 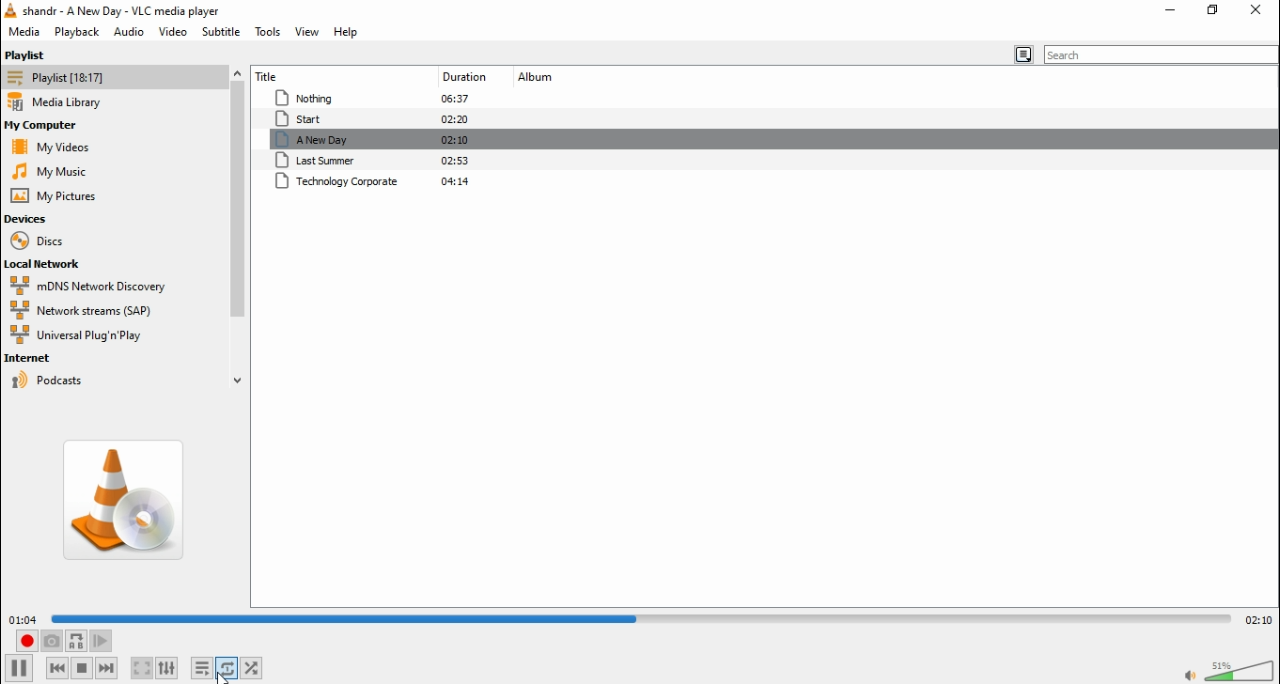 I want to click on discs, so click(x=38, y=242).